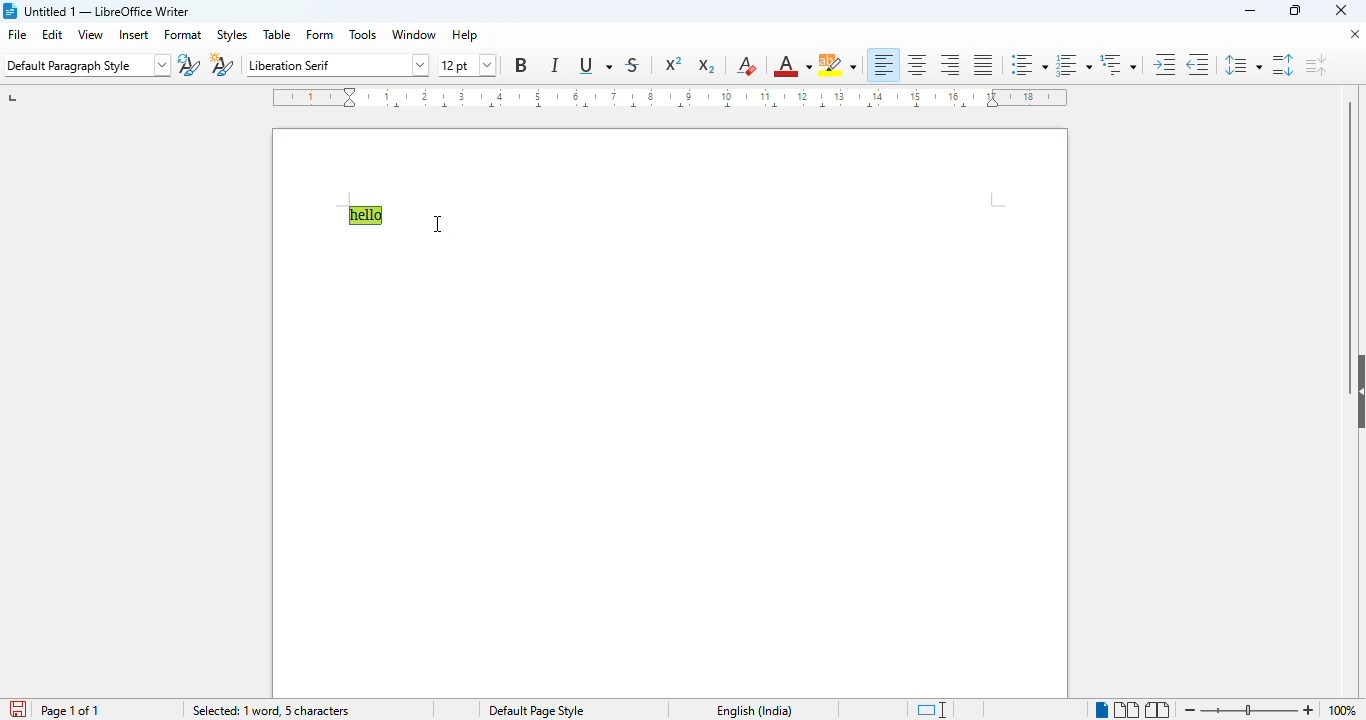 Image resolution: width=1366 pixels, height=720 pixels. Describe the element at coordinates (791, 66) in the screenshot. I see `font color` at that location.